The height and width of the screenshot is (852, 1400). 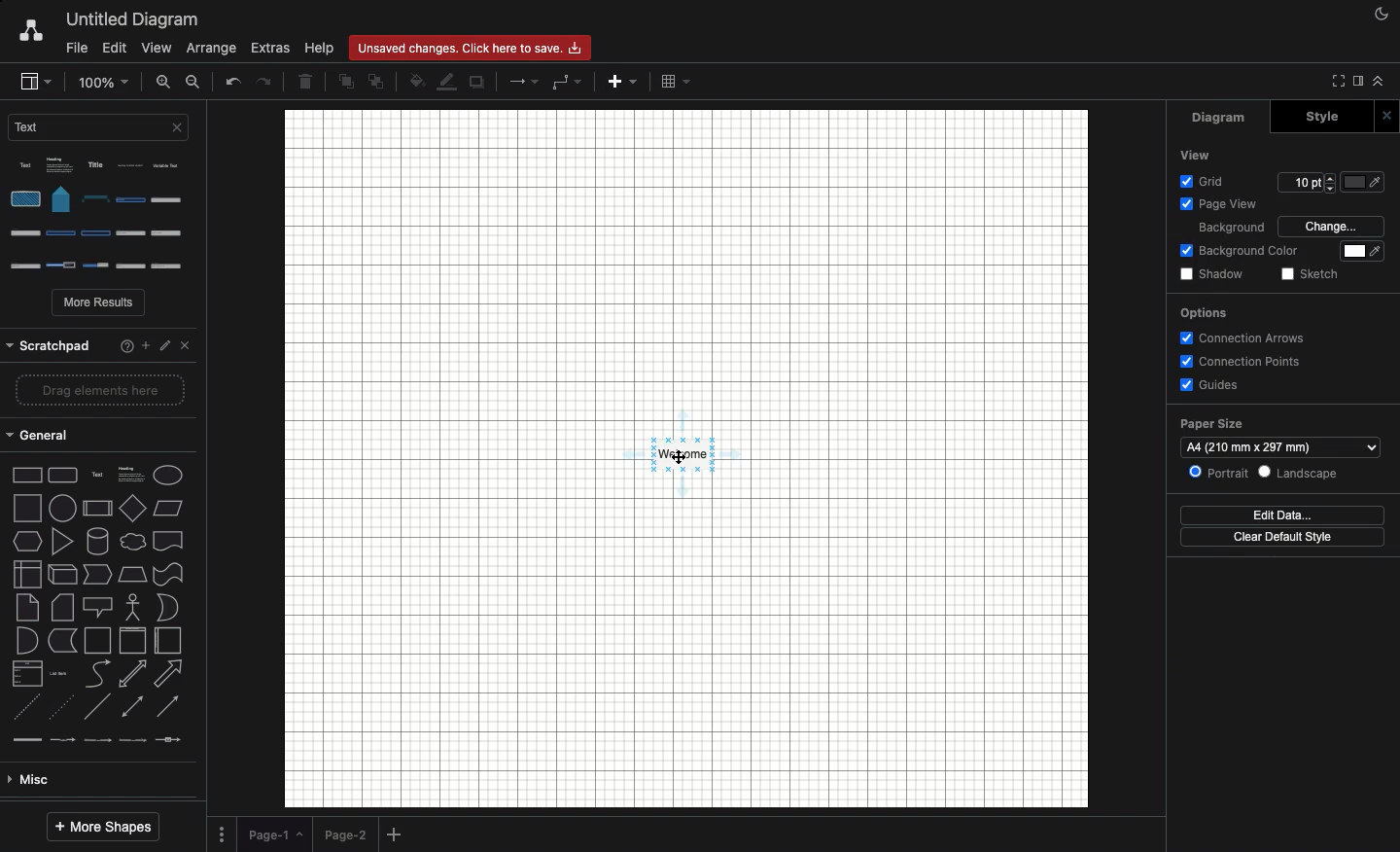 I want to click on shape, so click(x=99, y=438).